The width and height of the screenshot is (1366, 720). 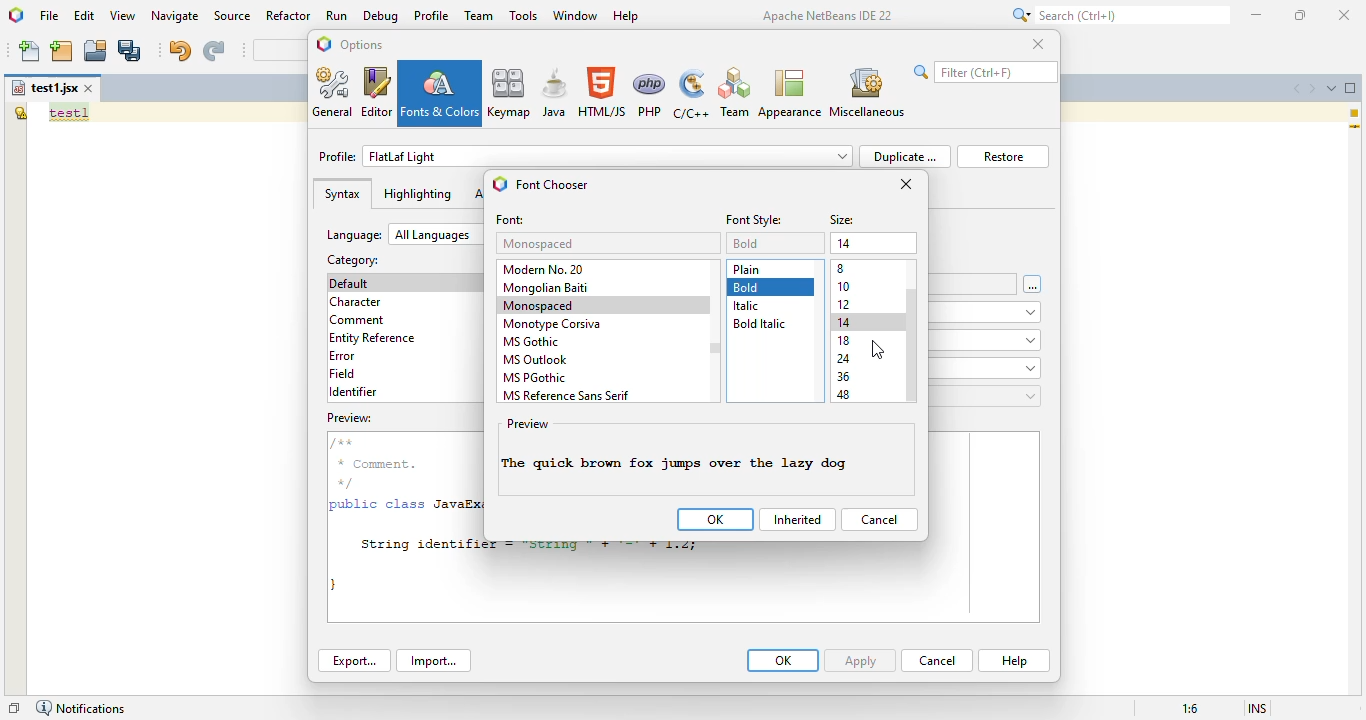 I want to click on font chooser, so click(x=552, y=185).